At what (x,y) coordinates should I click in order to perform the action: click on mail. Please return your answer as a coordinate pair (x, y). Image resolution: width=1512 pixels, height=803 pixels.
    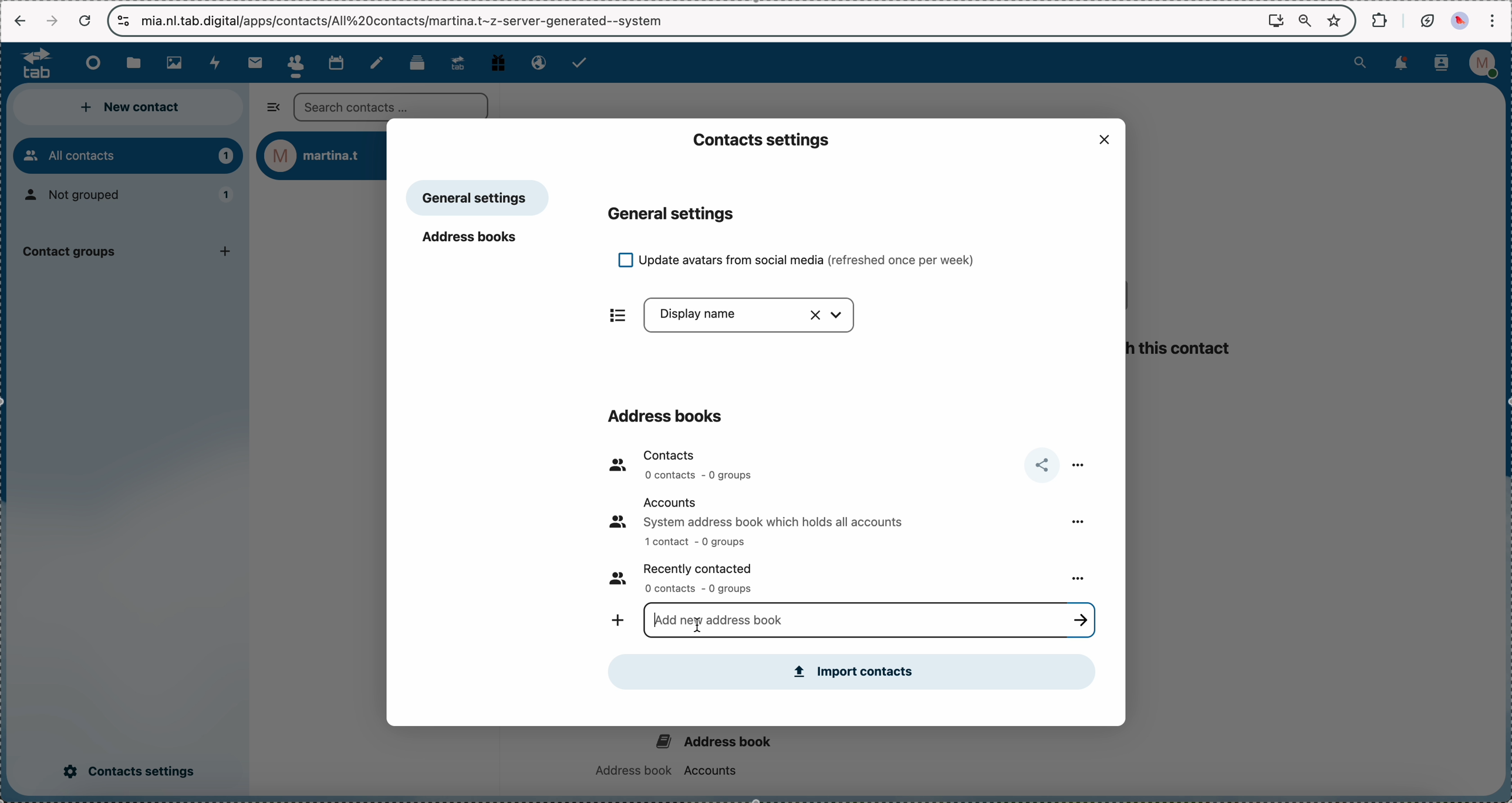
    Looking at the image, I should click on (254, 63).